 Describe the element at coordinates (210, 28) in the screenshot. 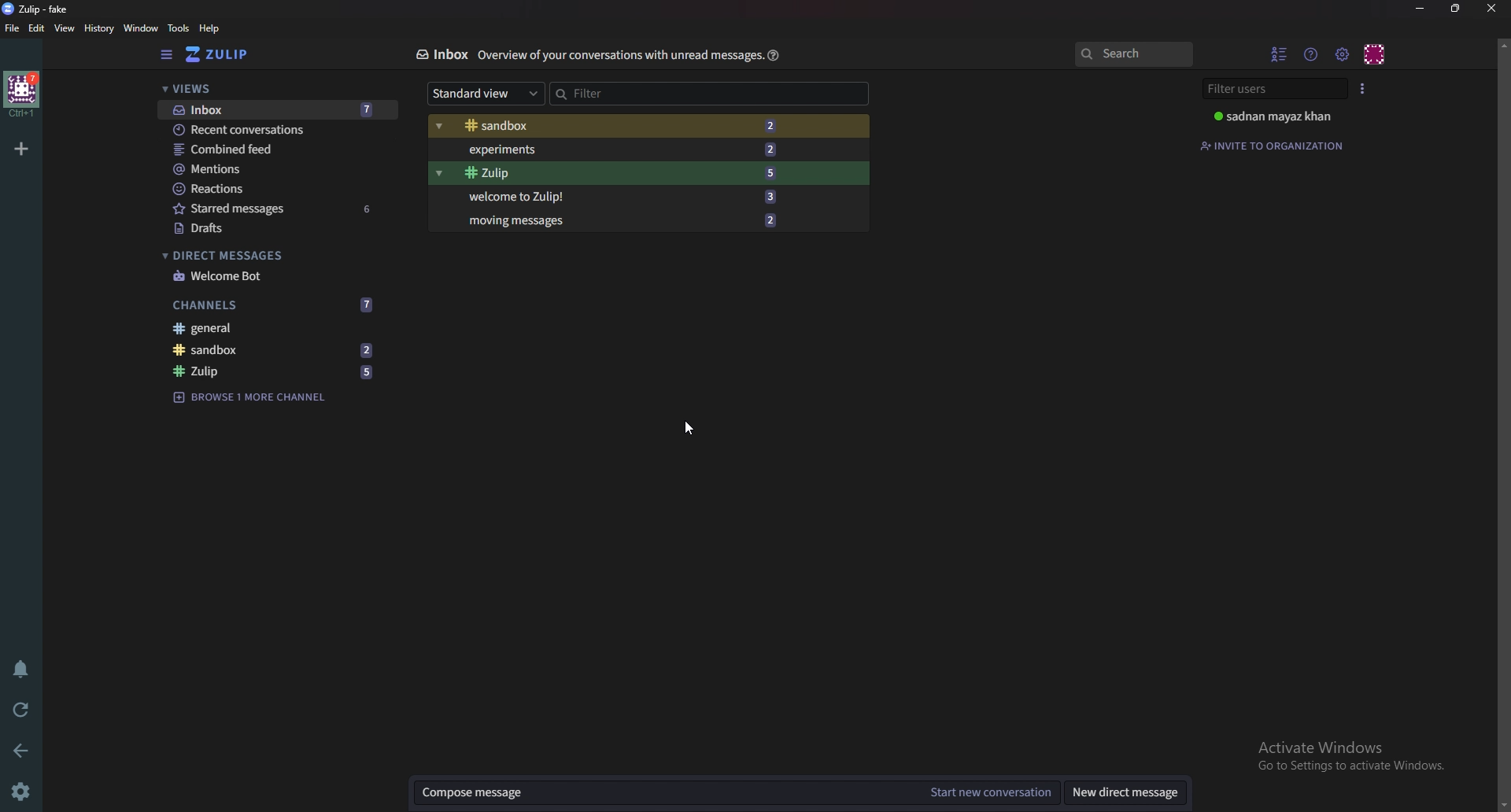

I see `help` at that location.